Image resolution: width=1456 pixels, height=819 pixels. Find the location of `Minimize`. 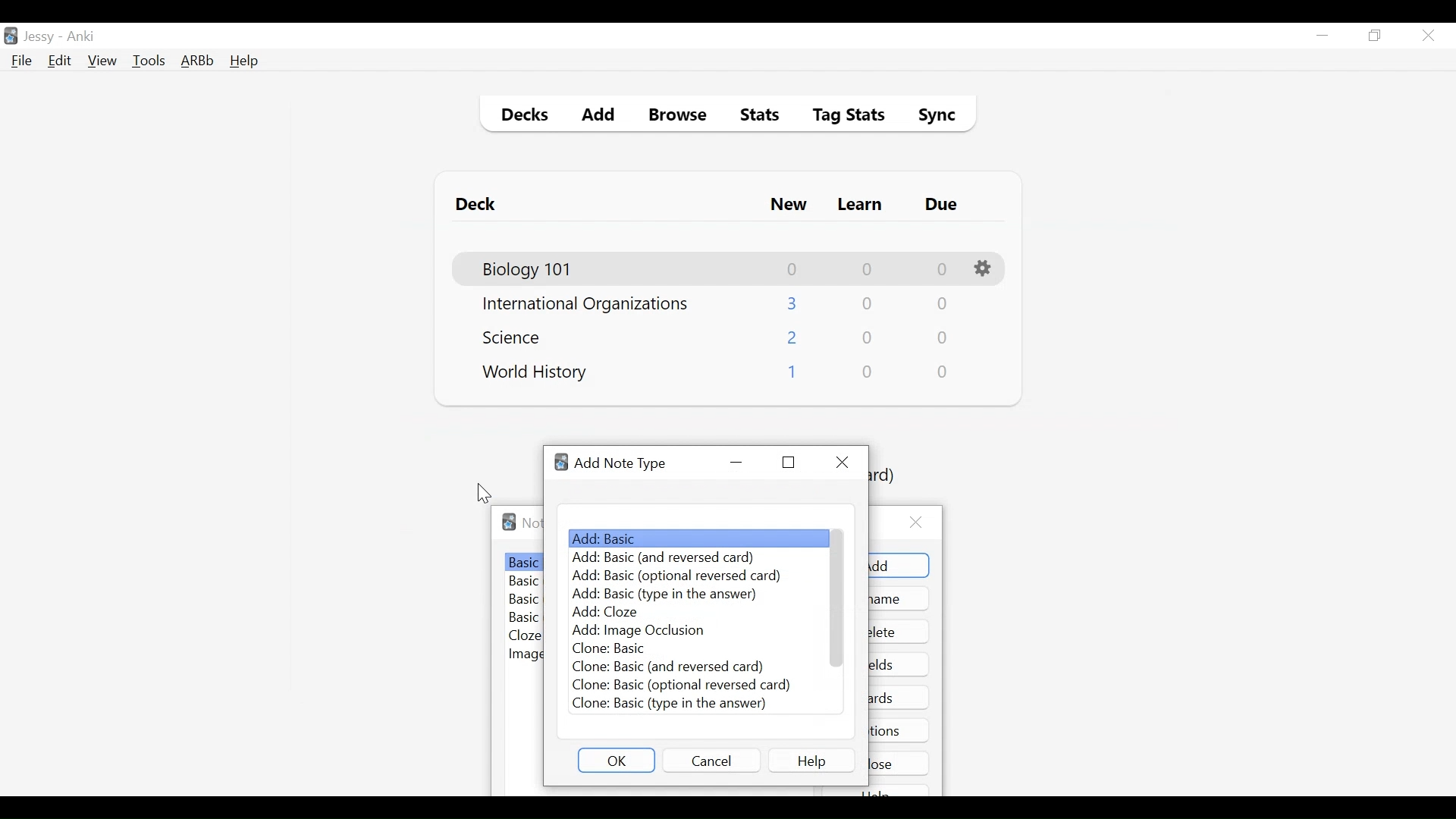

Minimize is located at coordinates (736, 463).